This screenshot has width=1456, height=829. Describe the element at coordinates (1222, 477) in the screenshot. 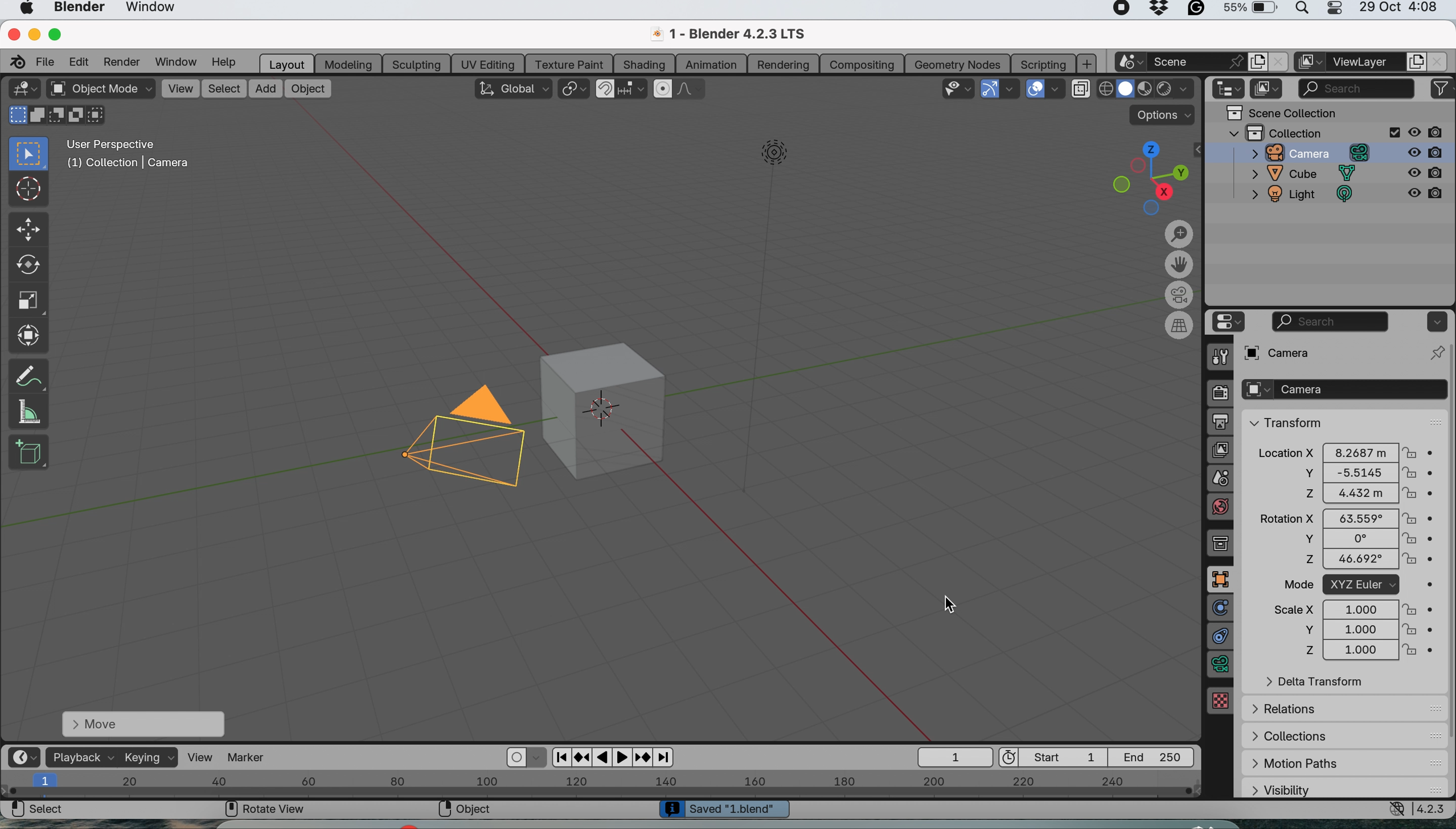

I see `scene` at that location.